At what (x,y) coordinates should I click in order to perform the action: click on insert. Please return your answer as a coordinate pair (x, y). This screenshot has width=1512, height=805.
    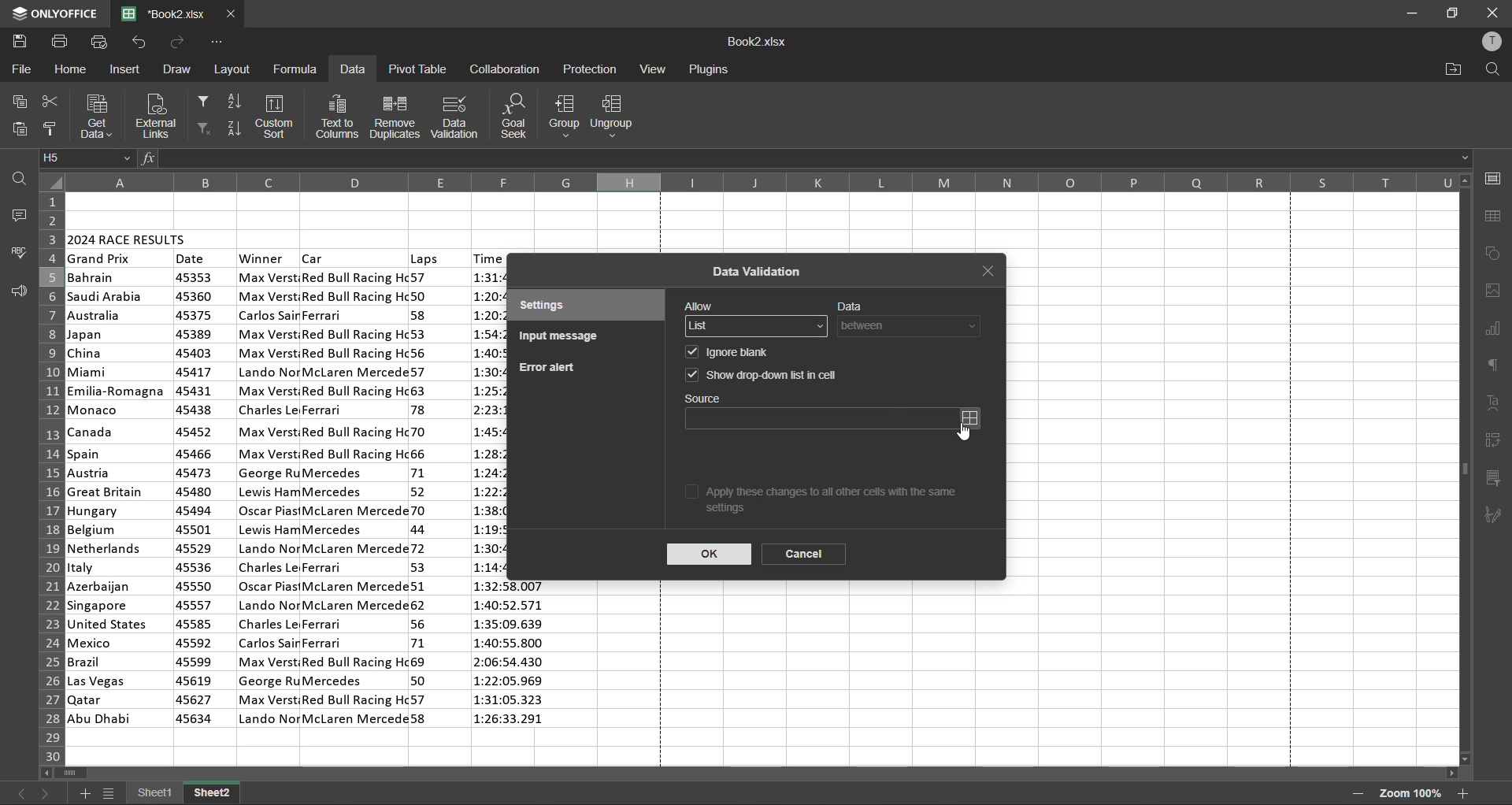
    Looking at the image, I should click on (128, 69).